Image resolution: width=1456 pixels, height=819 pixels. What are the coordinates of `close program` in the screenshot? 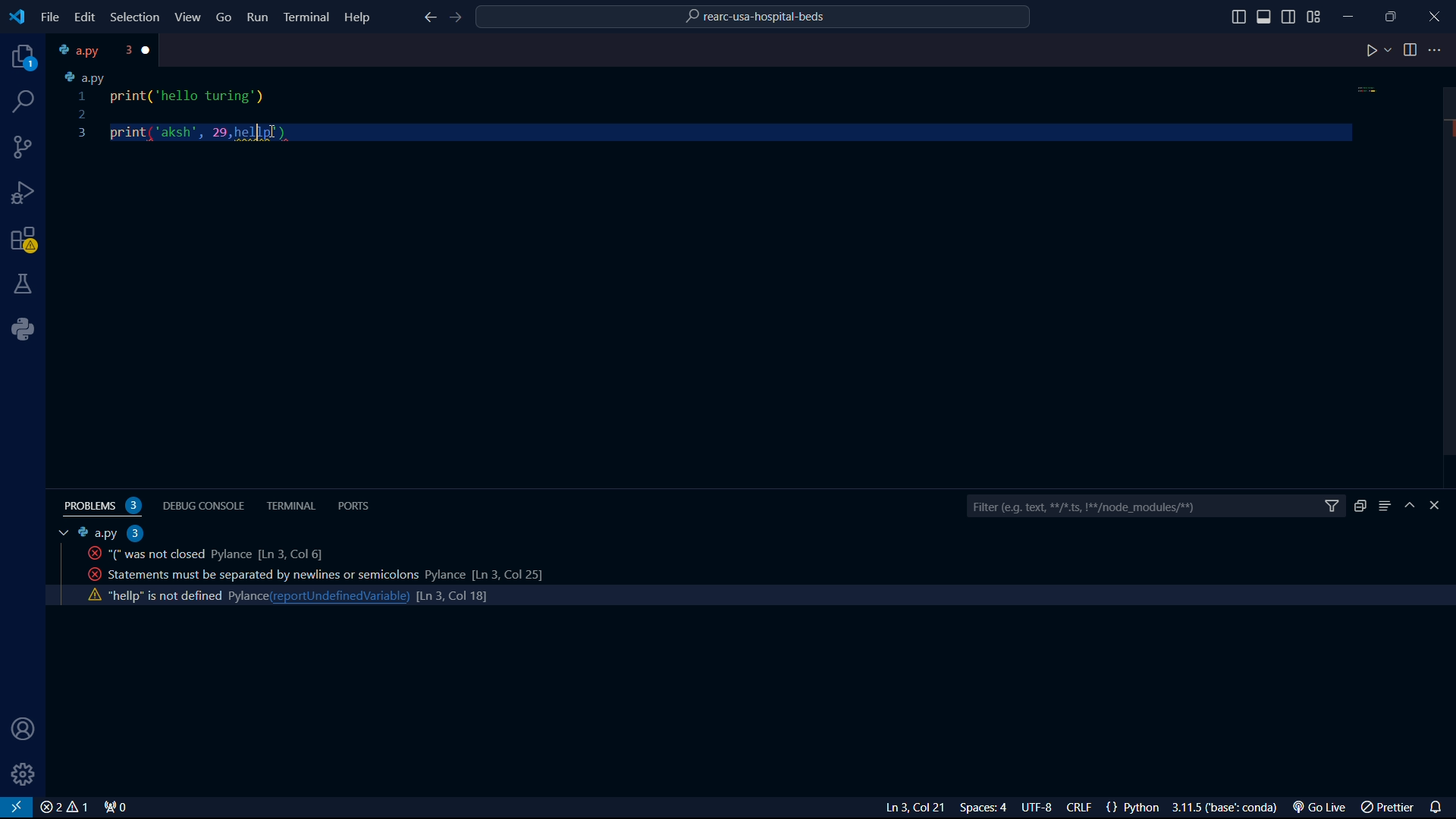 It's located at (1435, 14).